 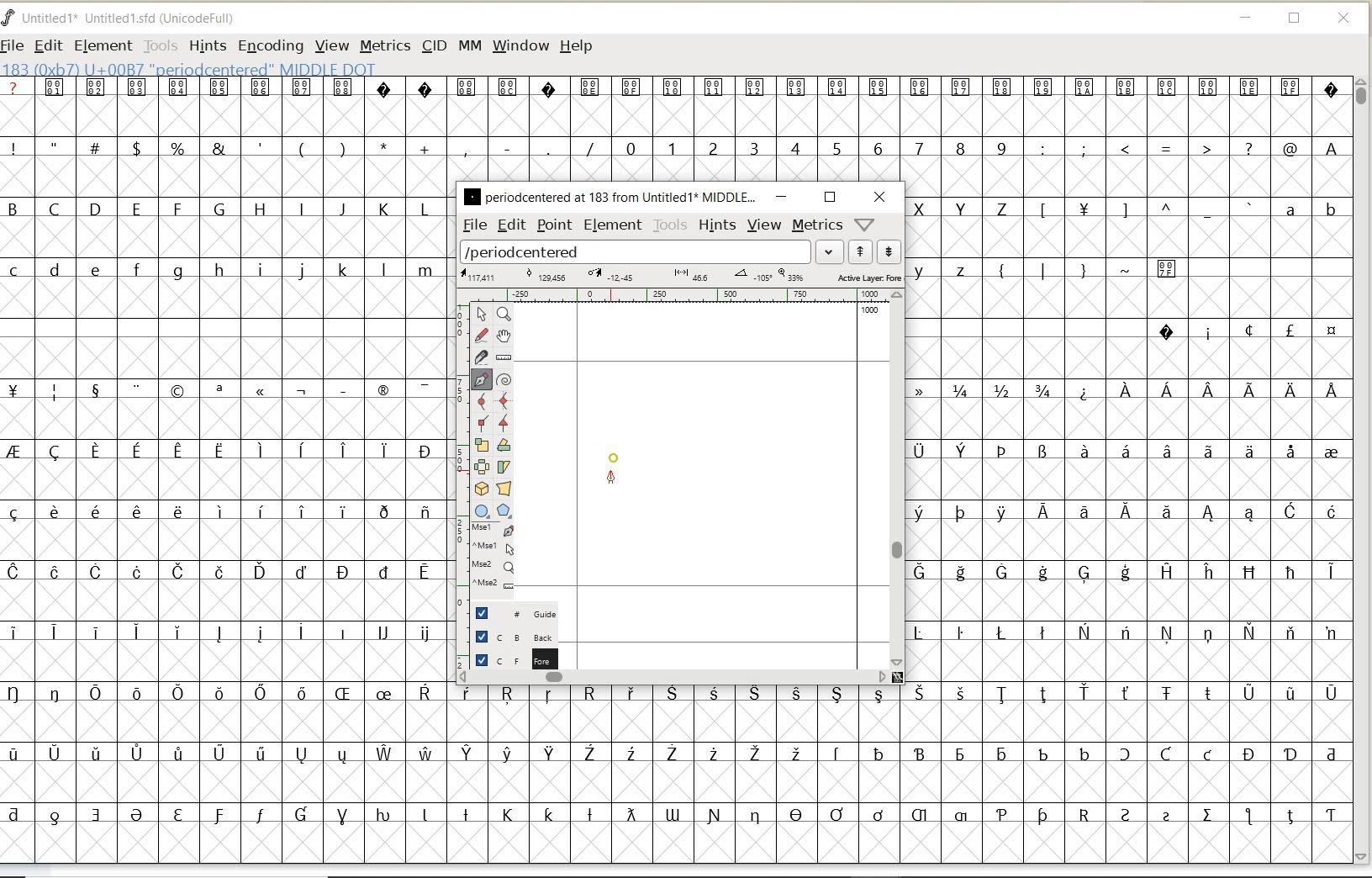 I want to click on skew the selection, so click(x=504, y=465).